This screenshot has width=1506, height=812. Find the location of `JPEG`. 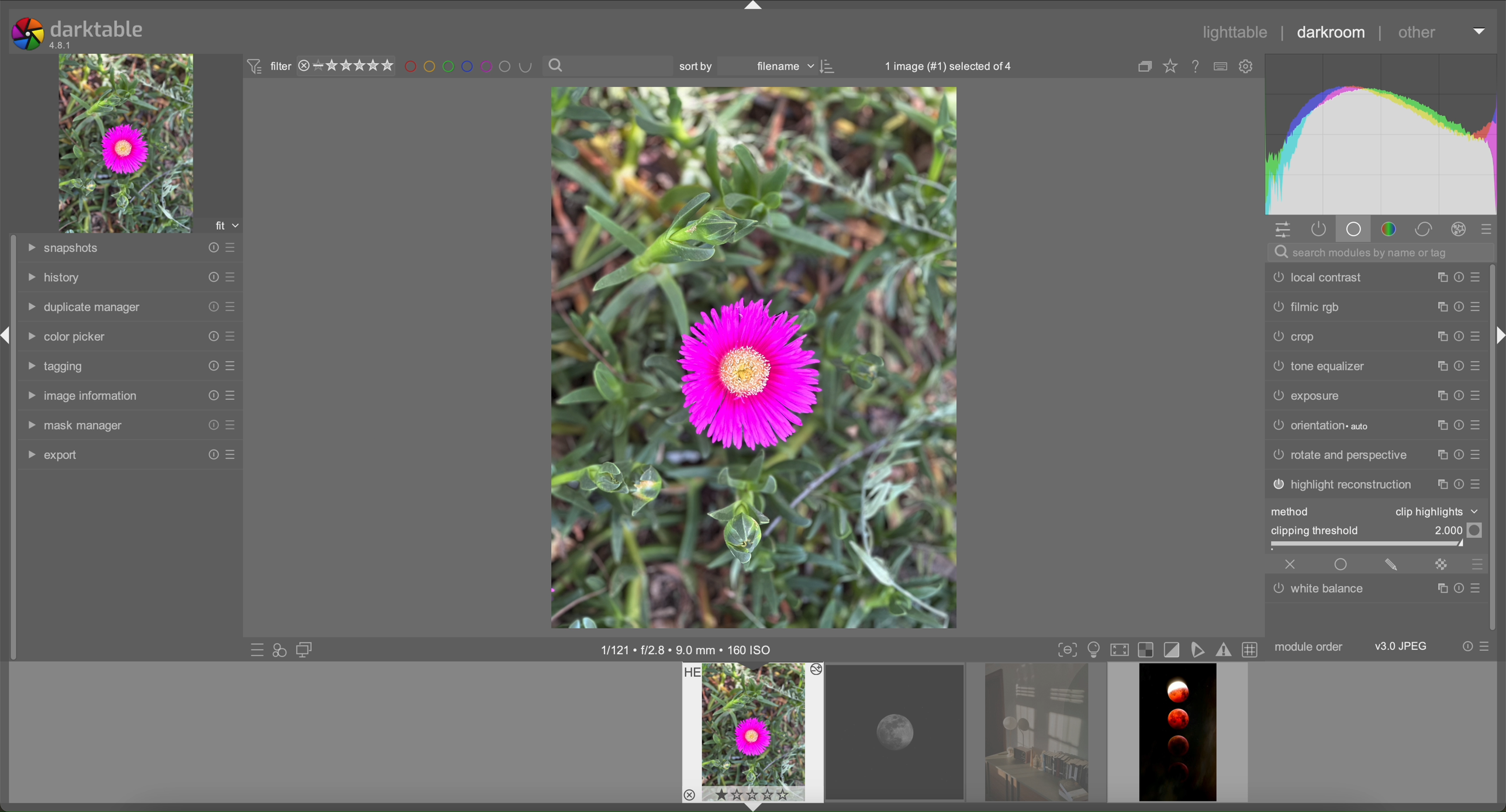

JPEG is located at coordinates (1403, 646).